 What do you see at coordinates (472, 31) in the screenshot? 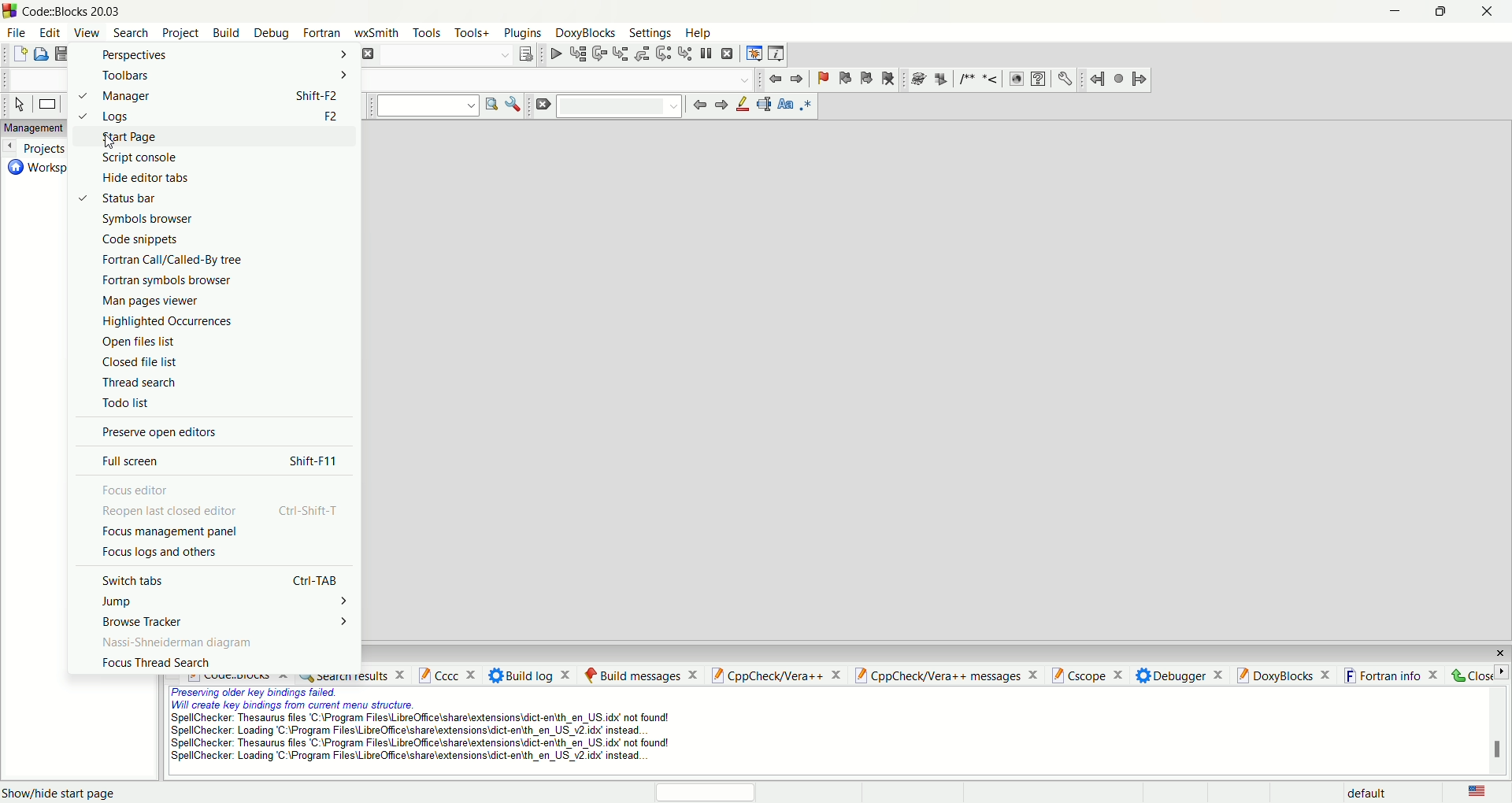
I see `tools+` at bounding box center [472, 31].